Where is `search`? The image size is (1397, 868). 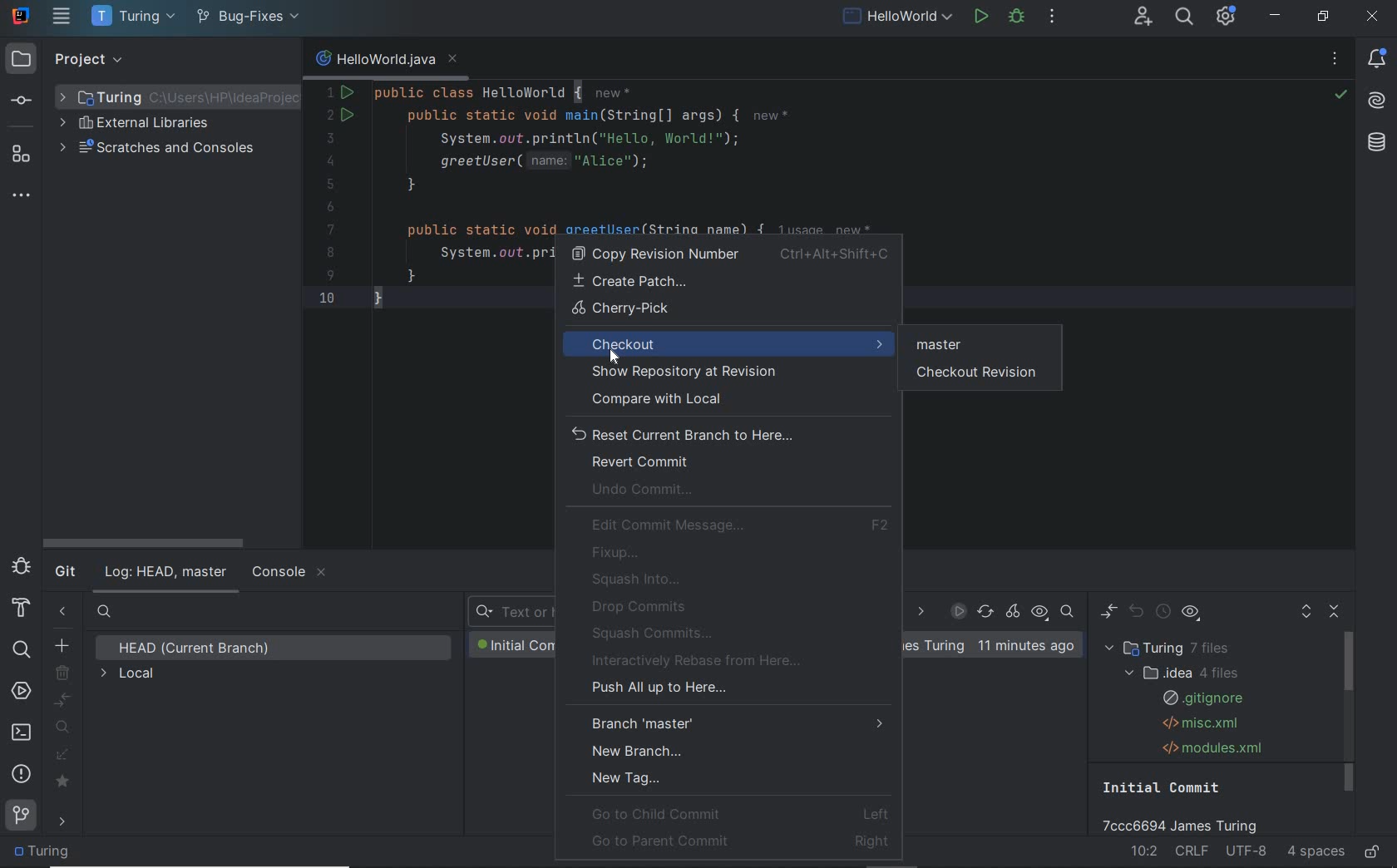 search is located at coordinates (20, 648).